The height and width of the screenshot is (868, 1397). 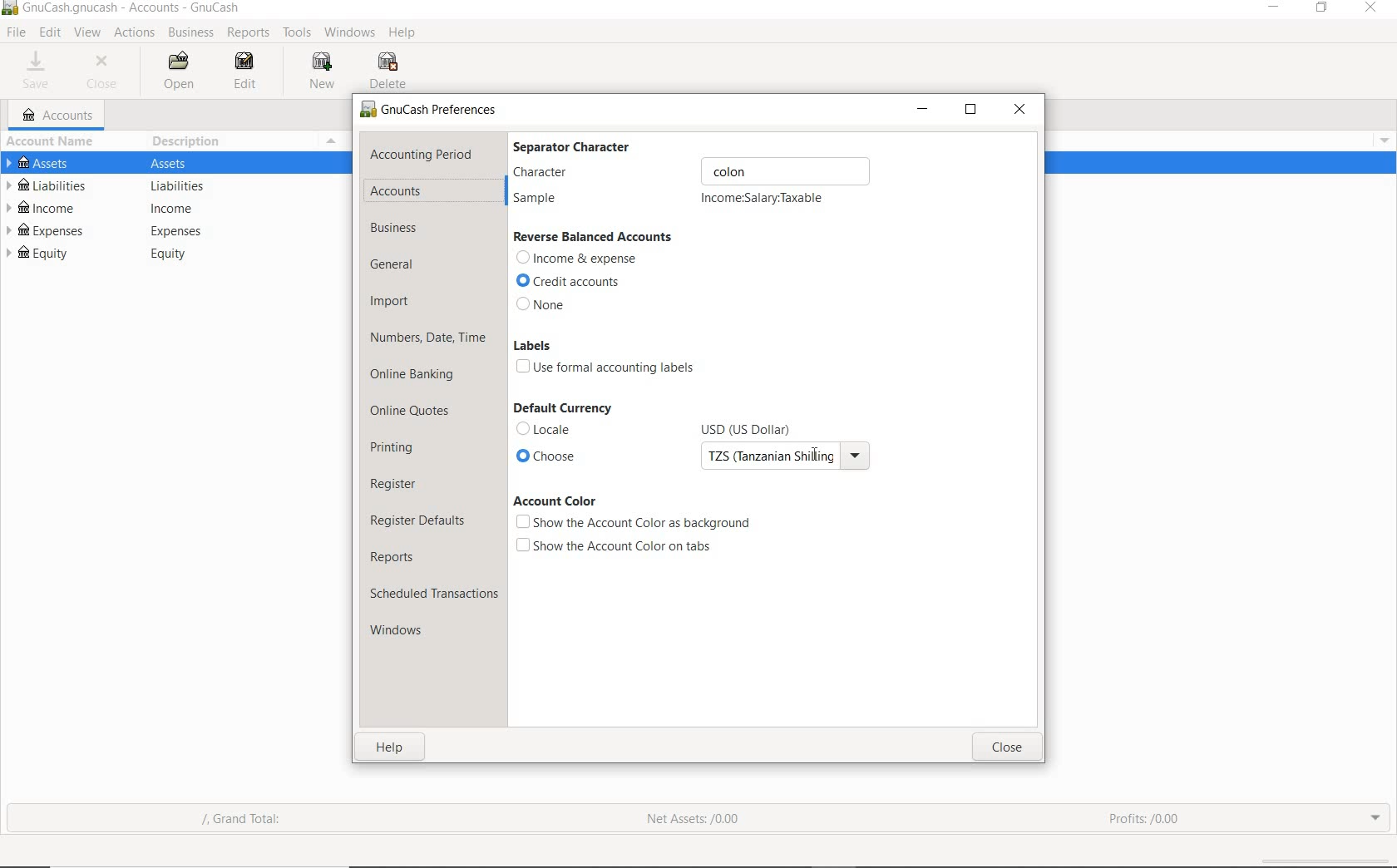 What do you see at coordinates (347, 32) in the screenshot?
I see `WINDOWS` at bounding box center [347, 32].